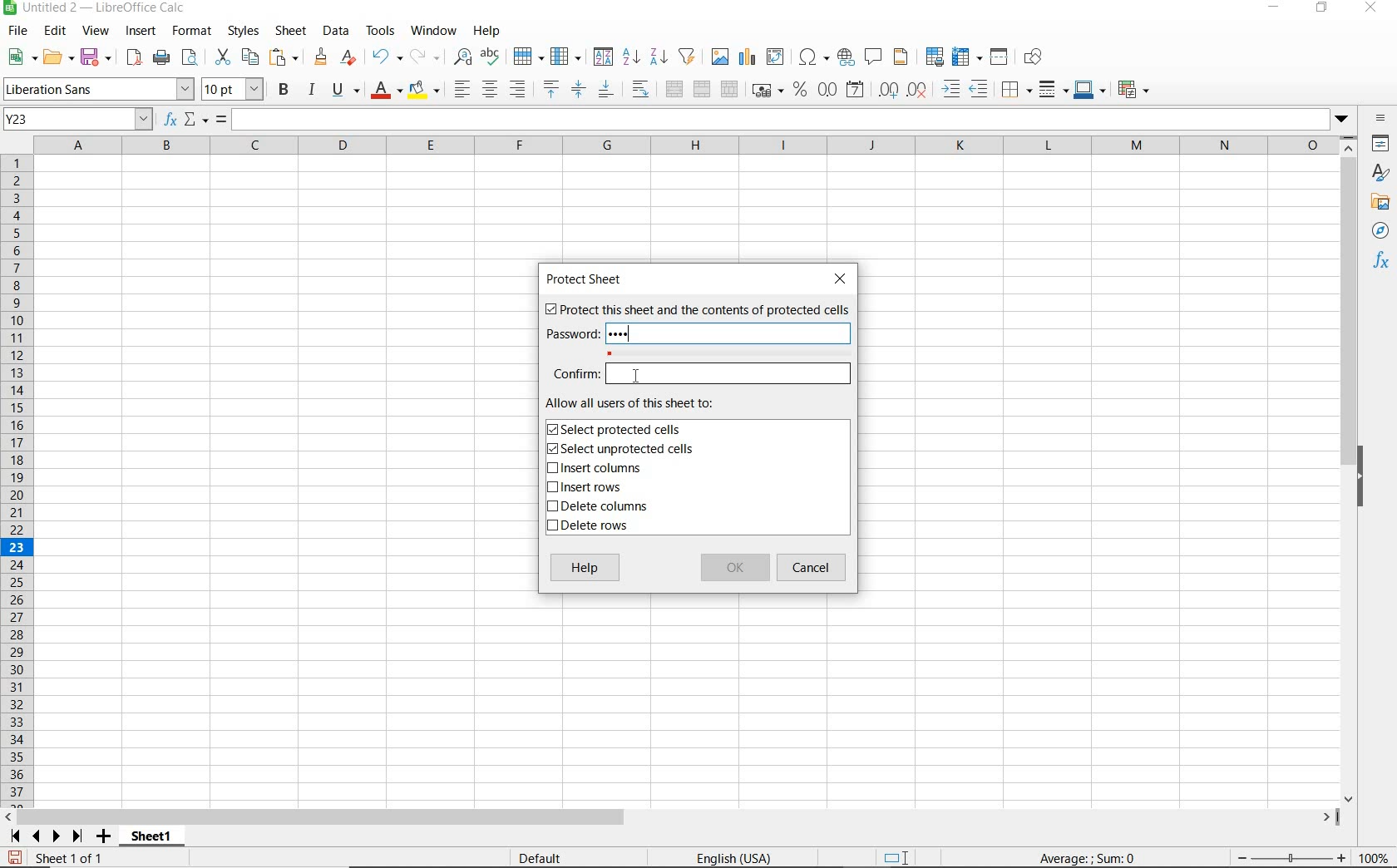 The width and height of the screenshot is (1397, 868). What do you see at coordinates (814, 568) in the screenshot?
I see `CANCEL` at bounding box center [814, 568].